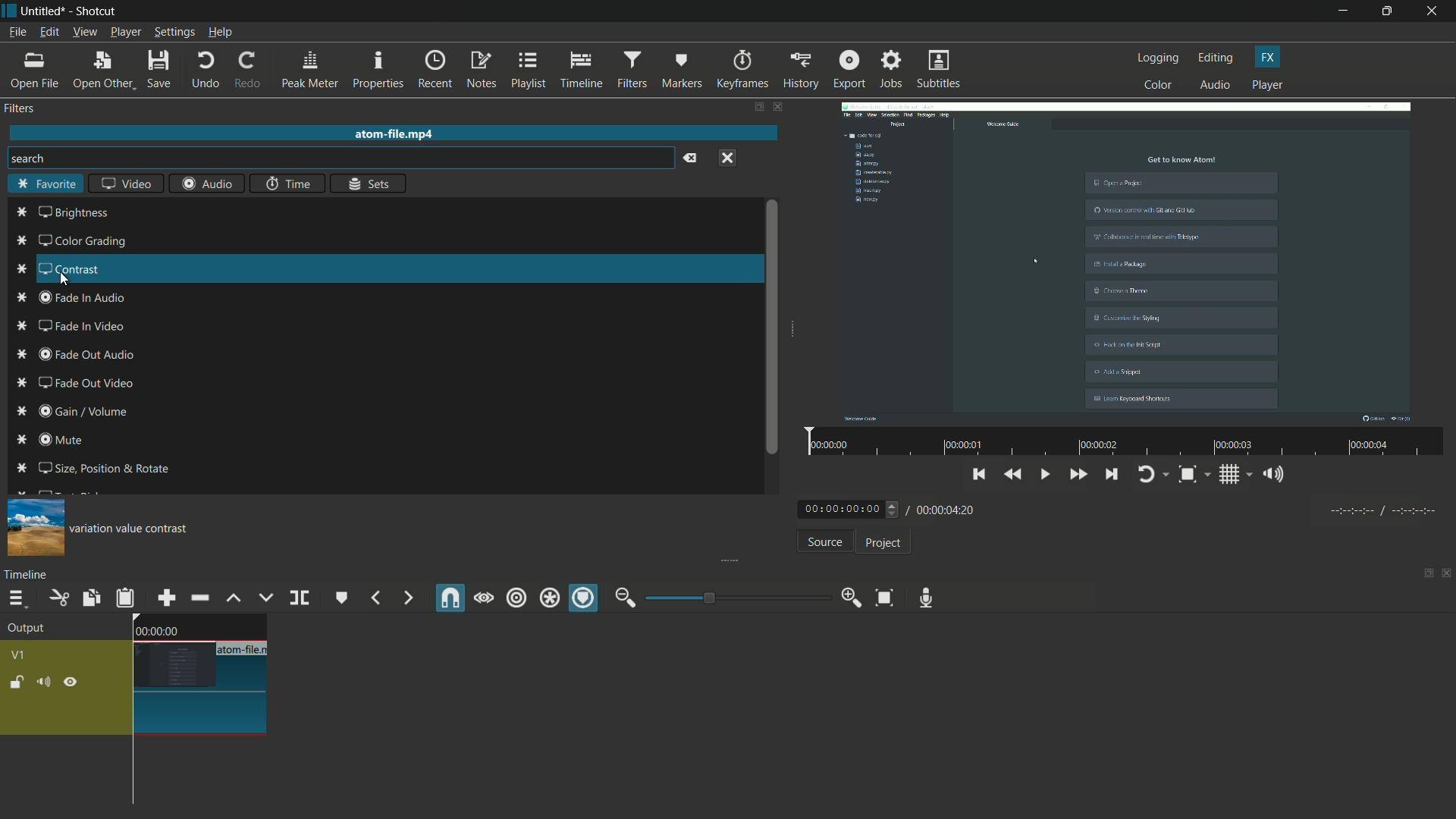  I want to click on toggle grid system, so click(1237, 477).